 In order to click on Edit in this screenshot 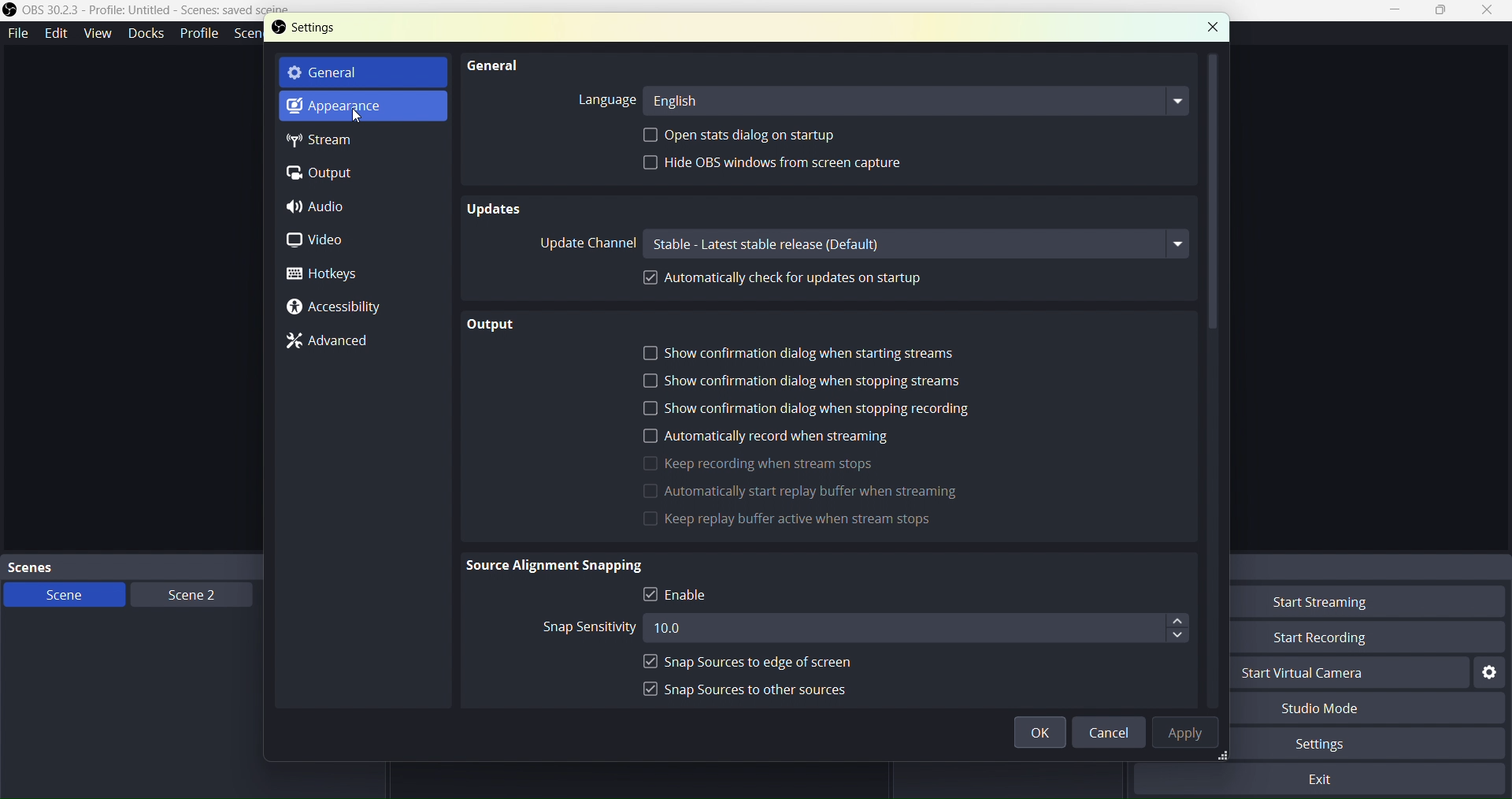, I will do `click(57, 33)`.